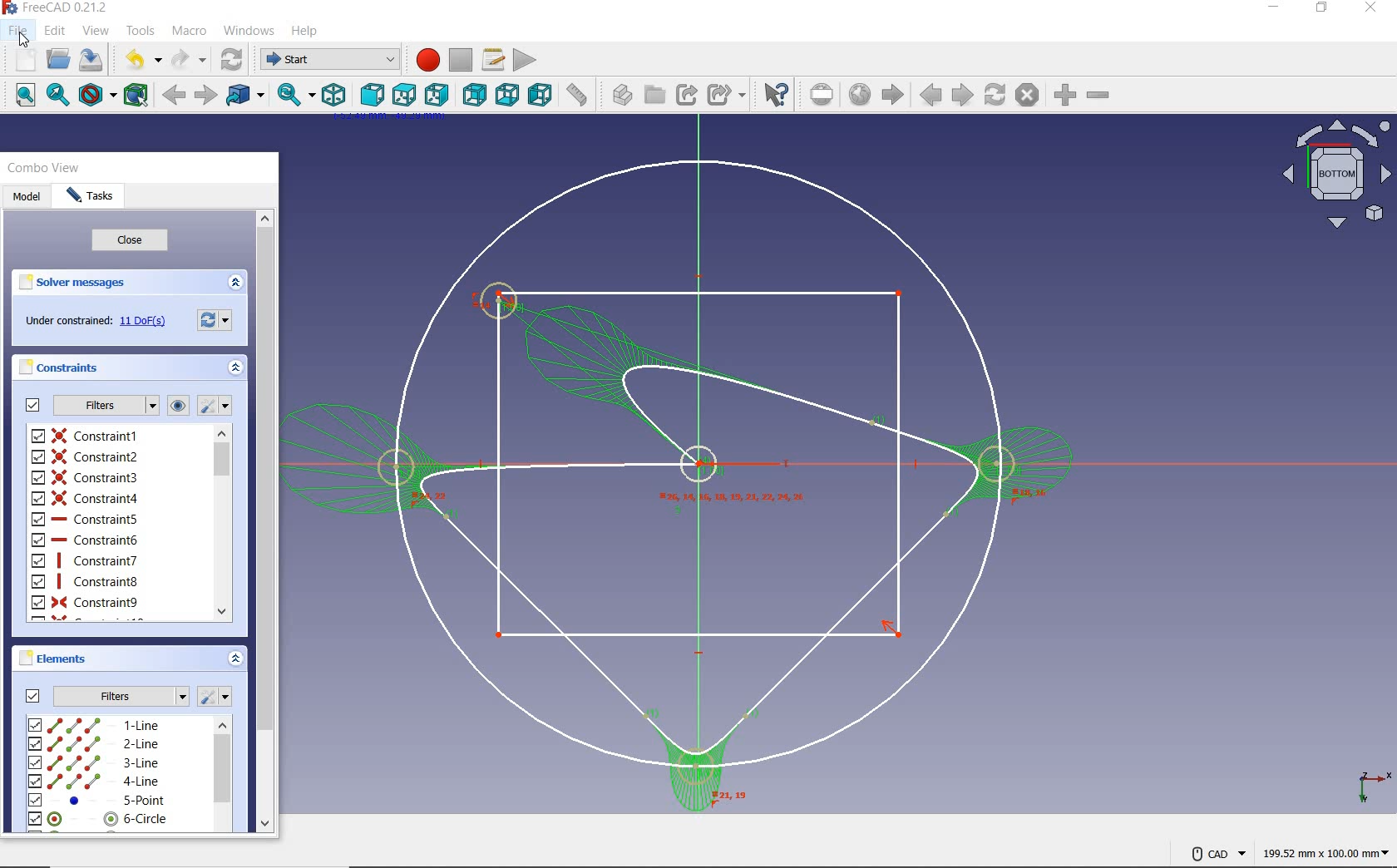 Image resolution: width=1397 pixels, height=868 pixels. Describe the element at coordinates (1064, 96) in the screenshot. I see `zoom in` at that location.